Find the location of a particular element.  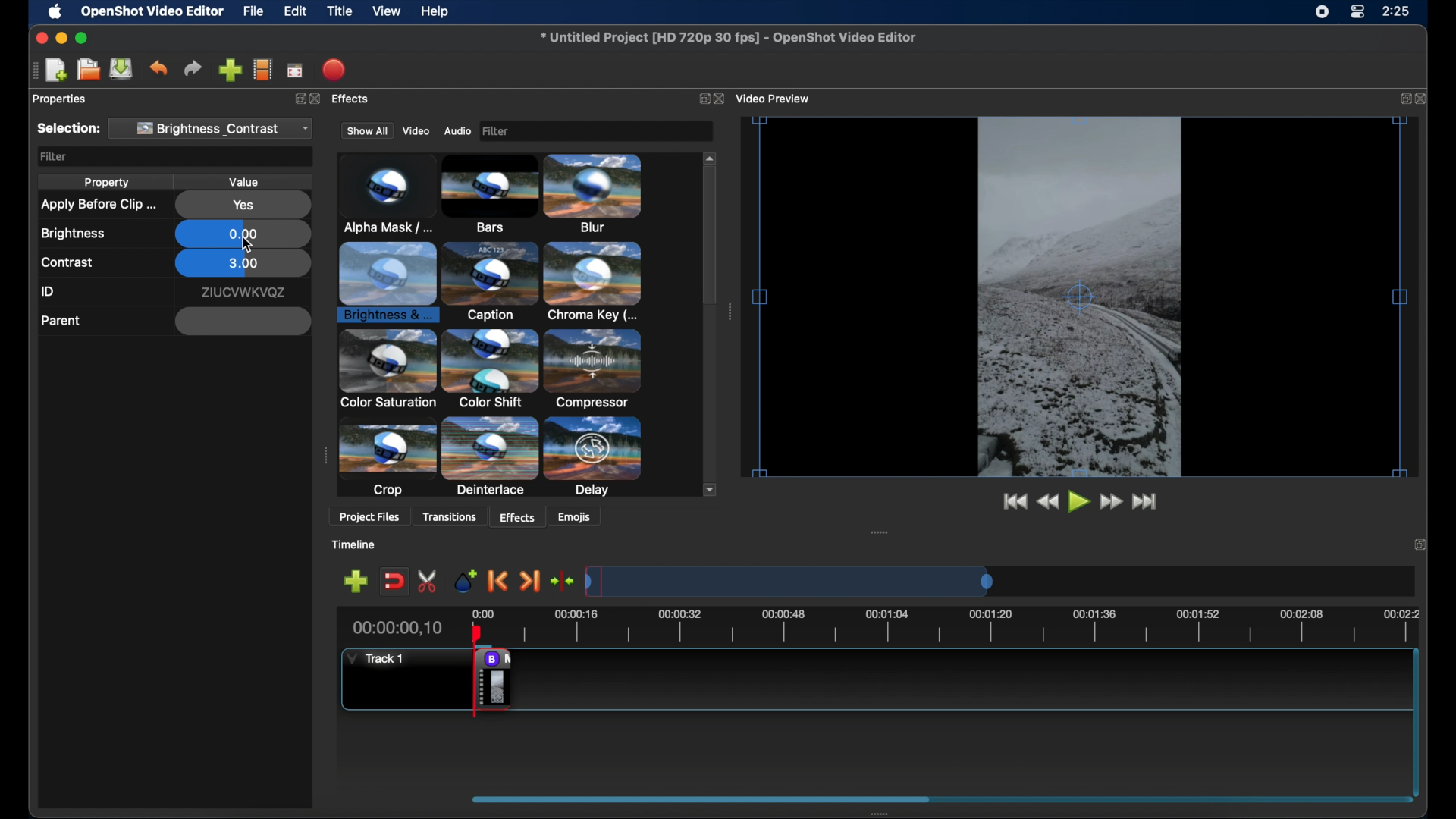

fast for is located at coordinates (1111, 504).